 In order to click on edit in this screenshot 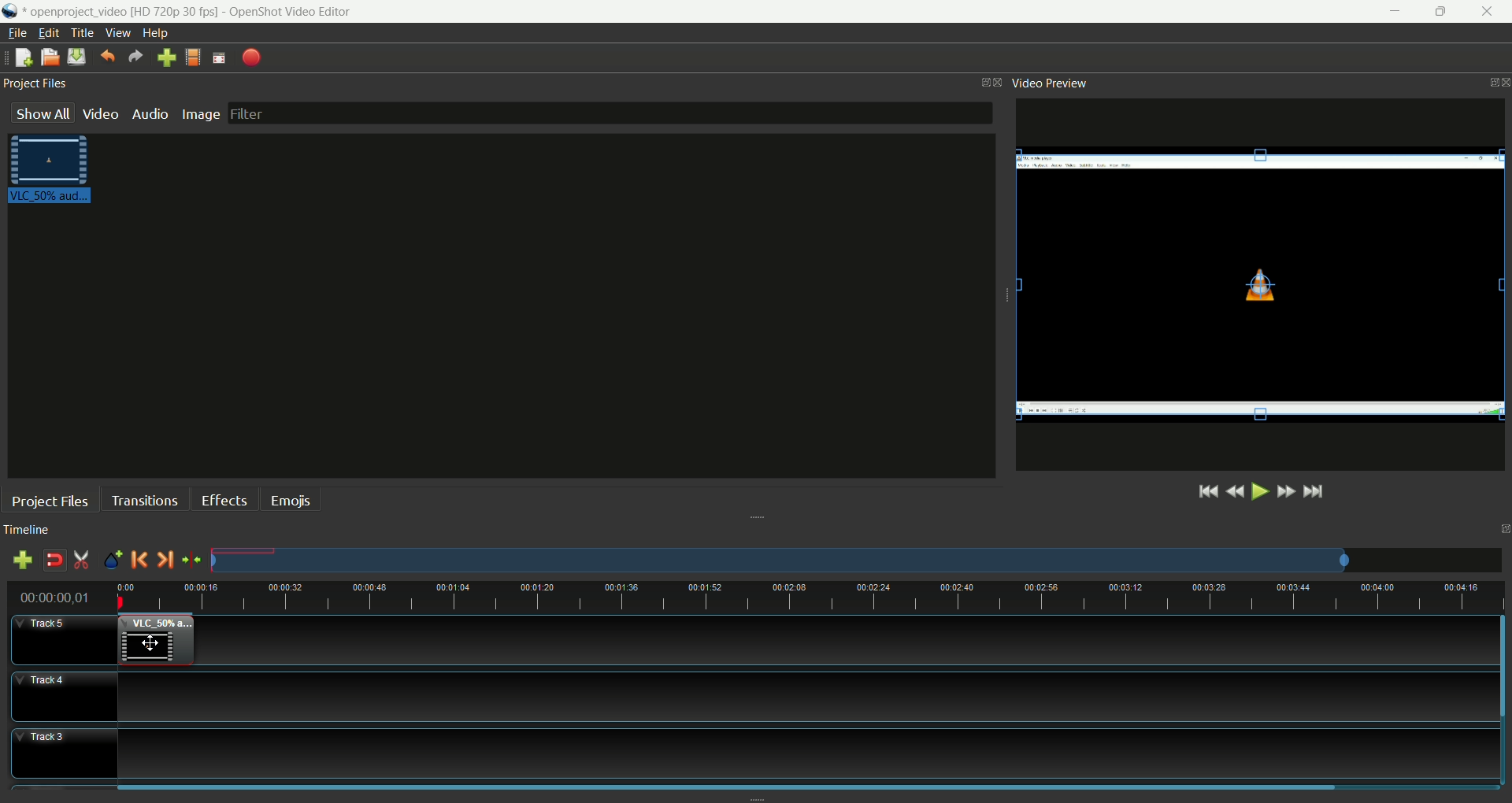, I will do `click(46, 33)`.